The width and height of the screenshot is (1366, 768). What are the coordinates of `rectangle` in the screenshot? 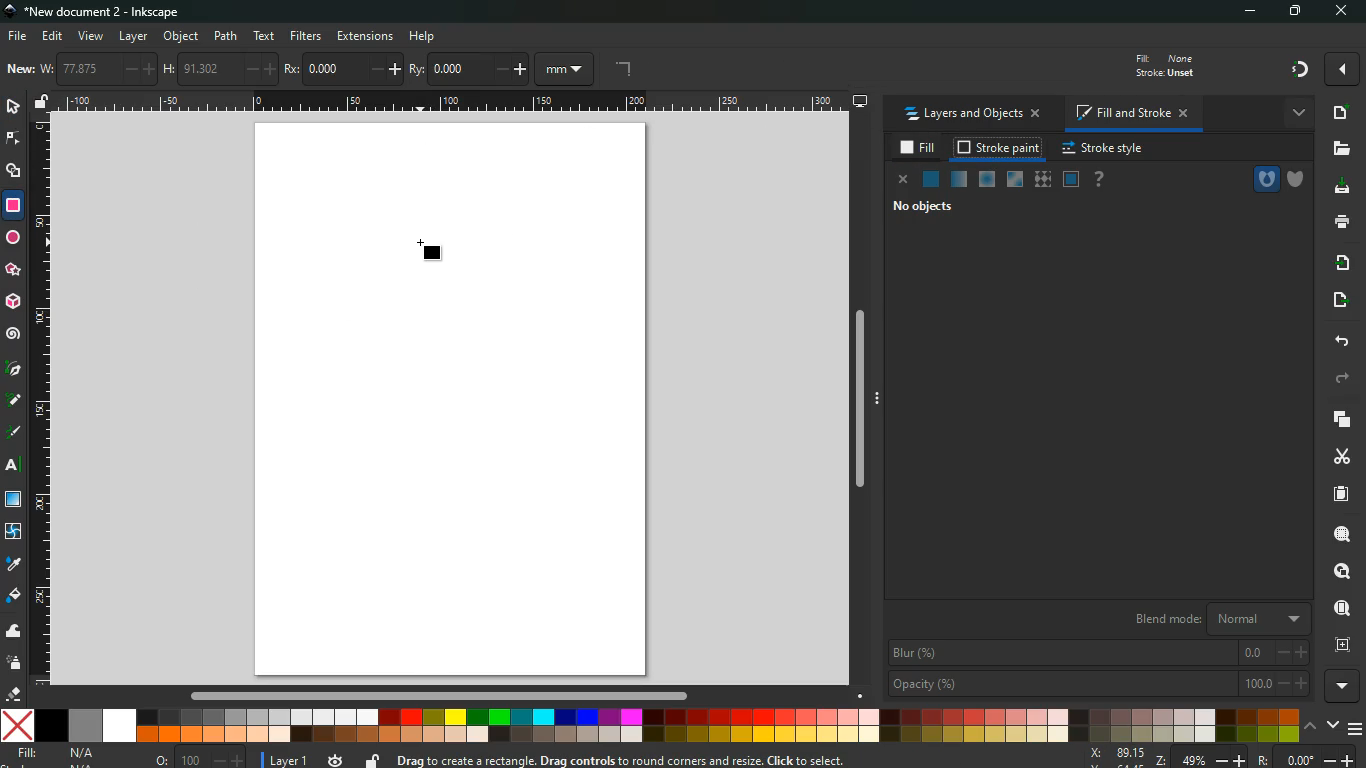 It's located at (435, 253).